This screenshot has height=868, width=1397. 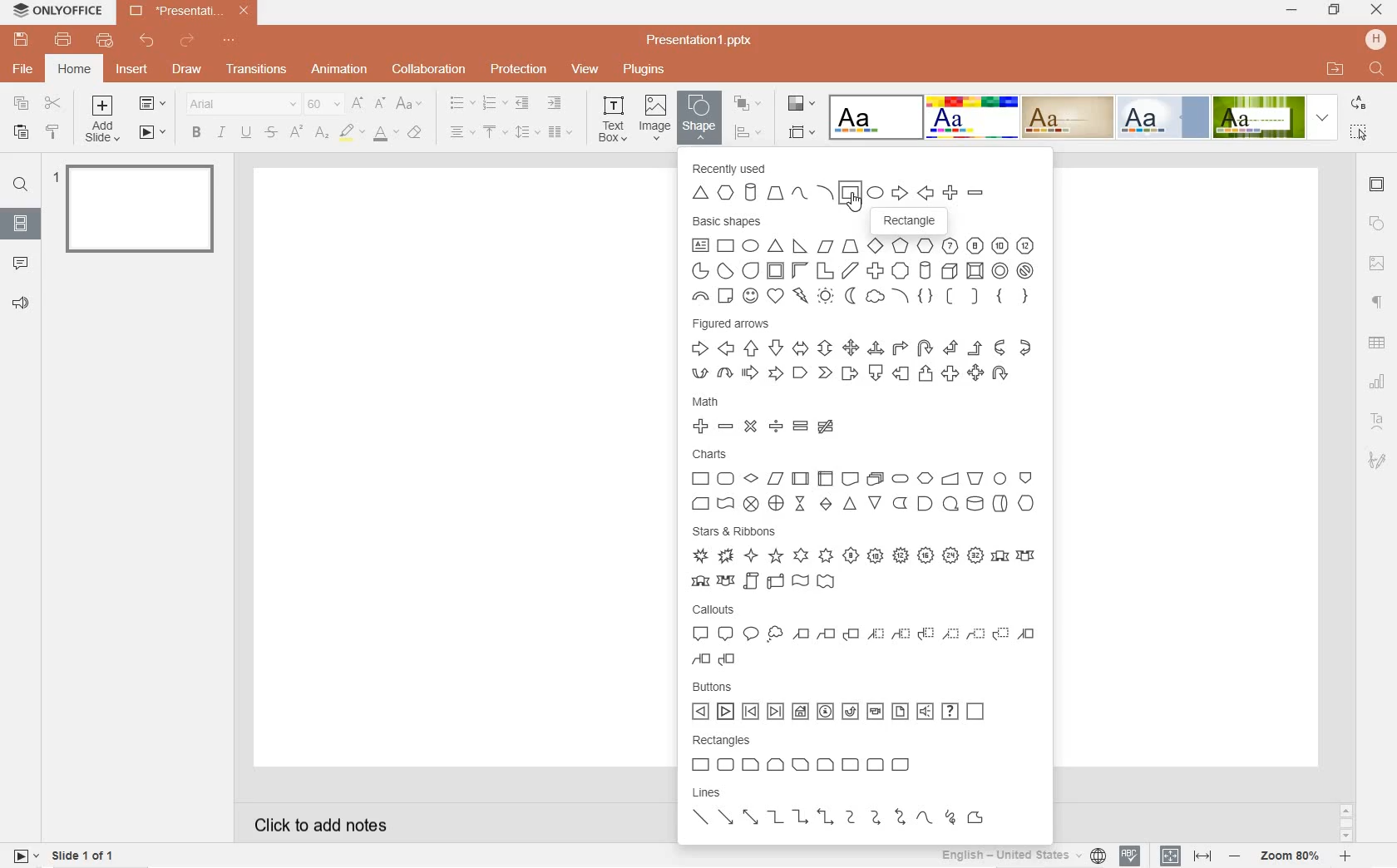 What do you see at coordinates (518, 71) in the screenshot?
I see `protection` at bounding box center [518, 71].